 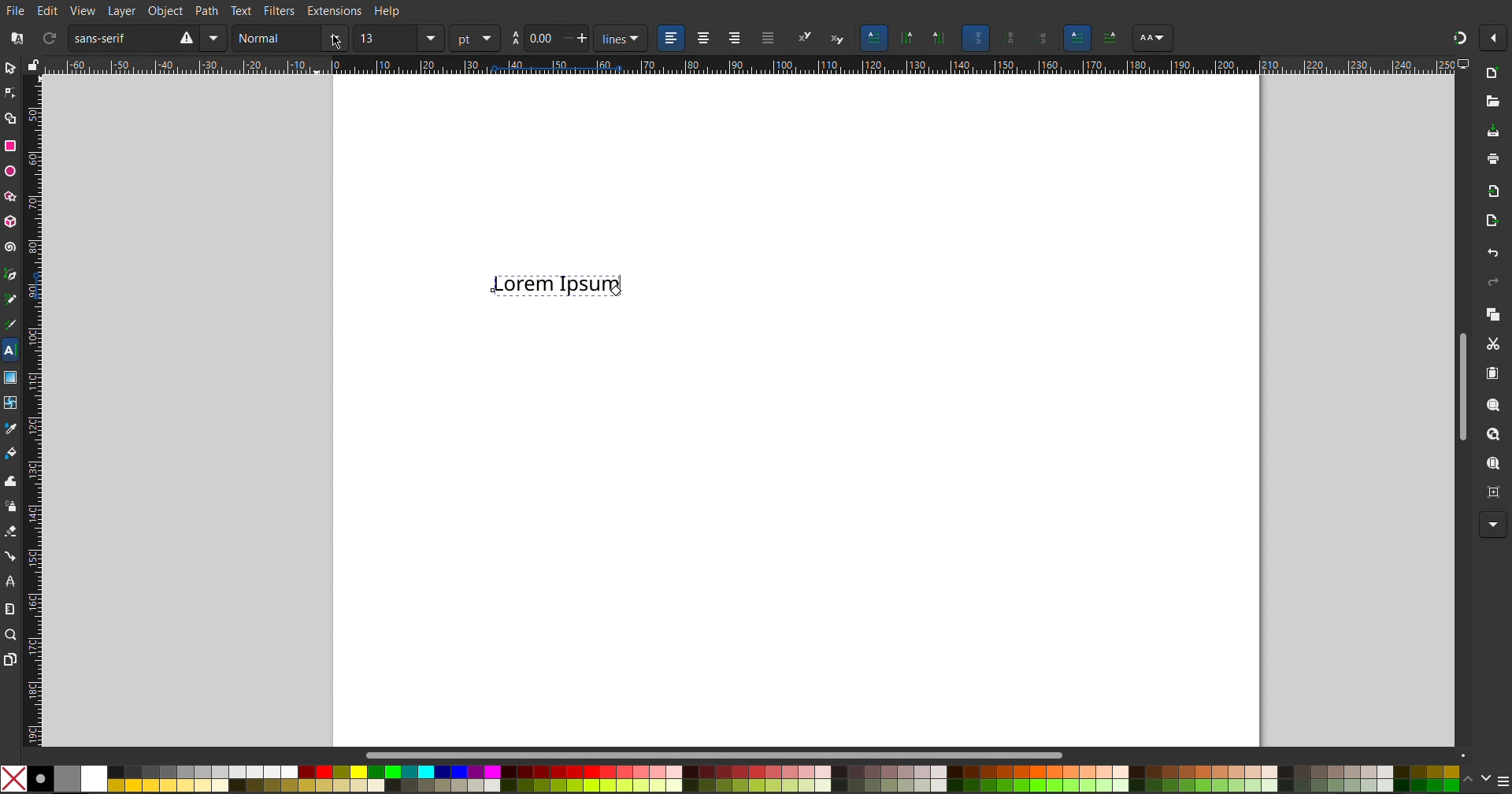 I want to click on Shape Builder Tool, so click(x=13, y=118).